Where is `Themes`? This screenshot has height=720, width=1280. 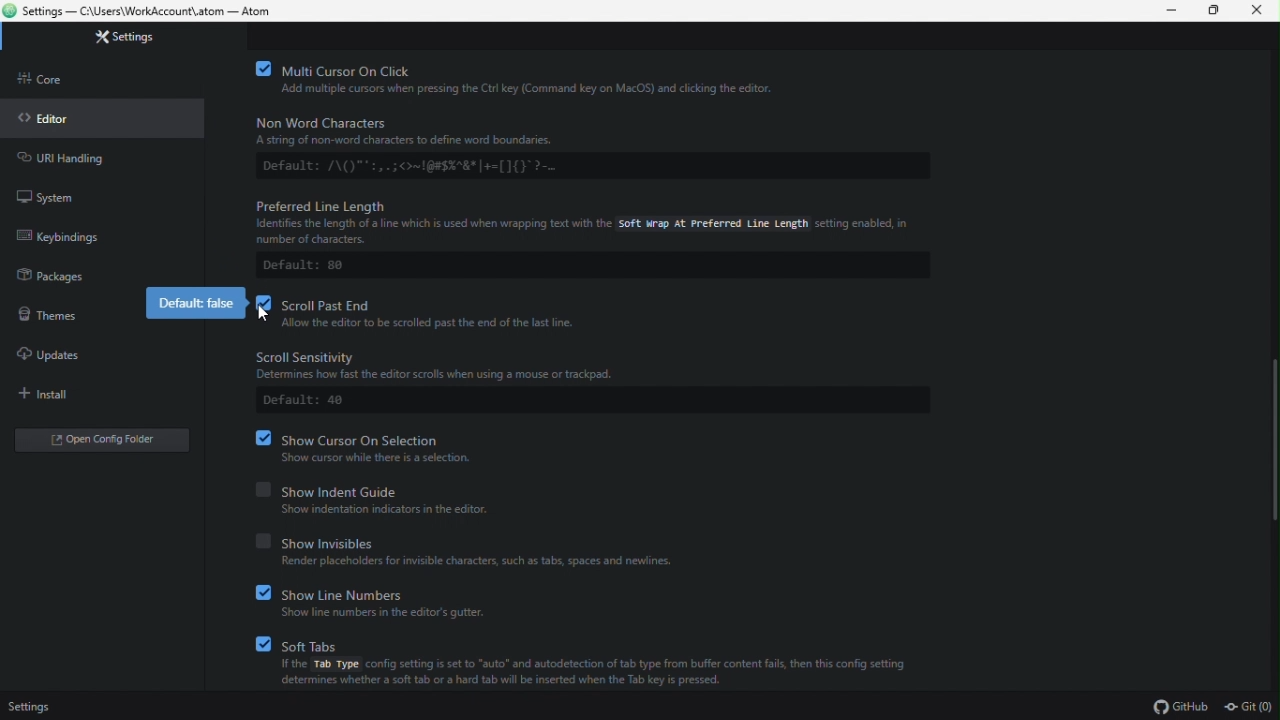
Themes is located at coordinates (55, 318).